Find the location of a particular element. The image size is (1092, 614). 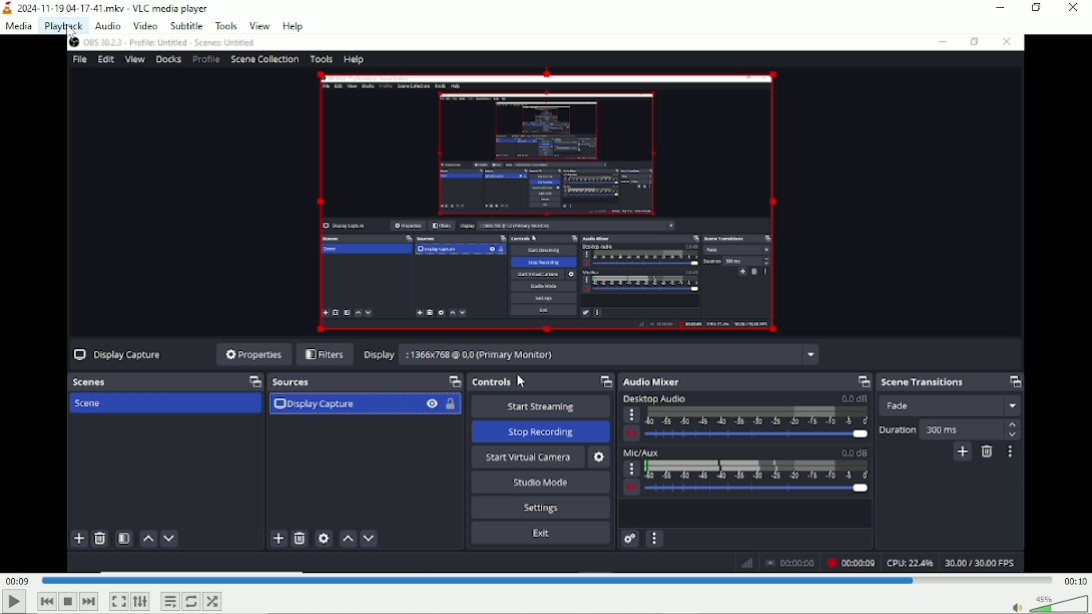

Play duration is located at coordinates (545, 579).